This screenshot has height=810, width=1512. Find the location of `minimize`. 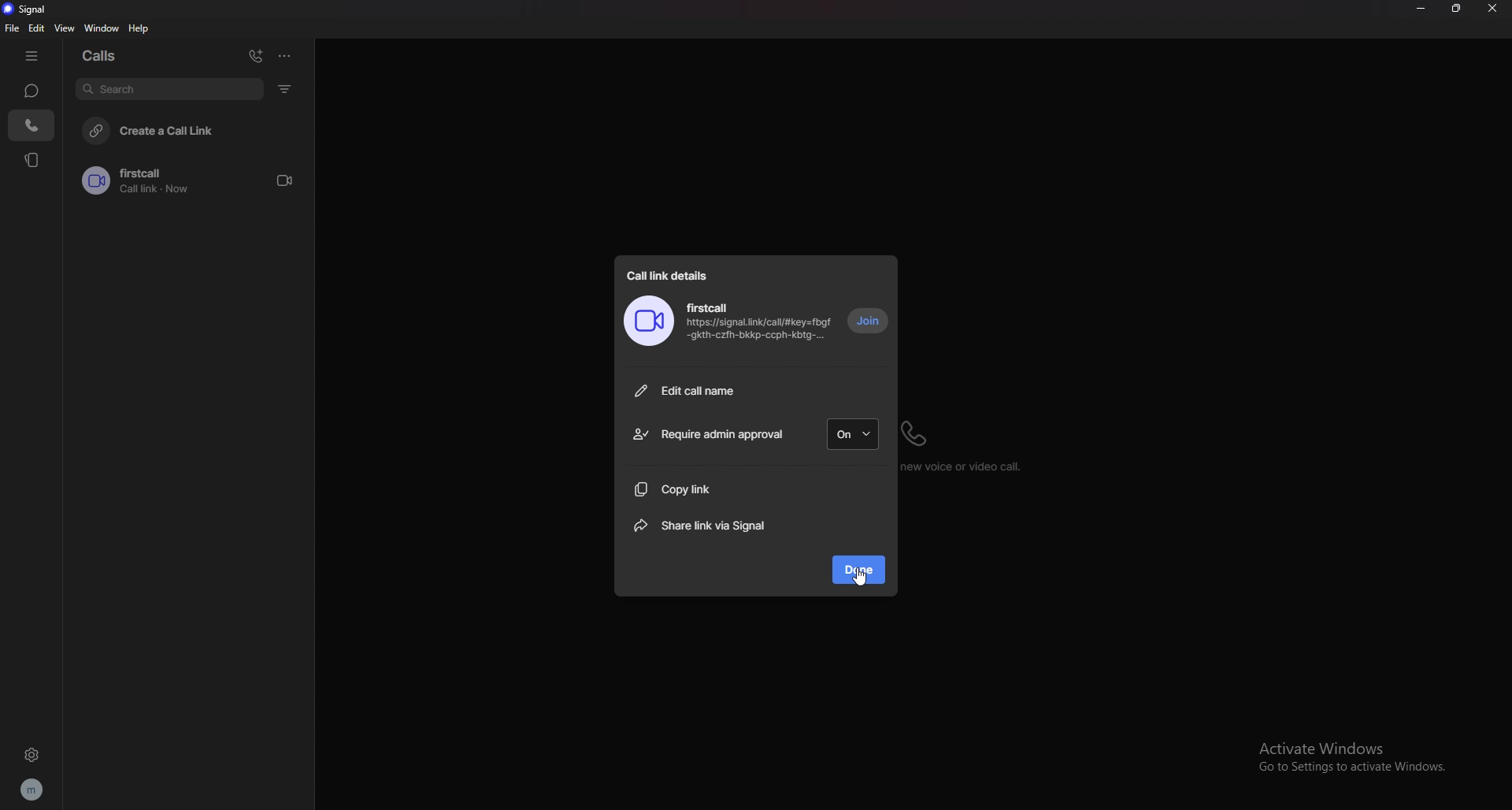

minimize is located at coordinates (1420, 9).